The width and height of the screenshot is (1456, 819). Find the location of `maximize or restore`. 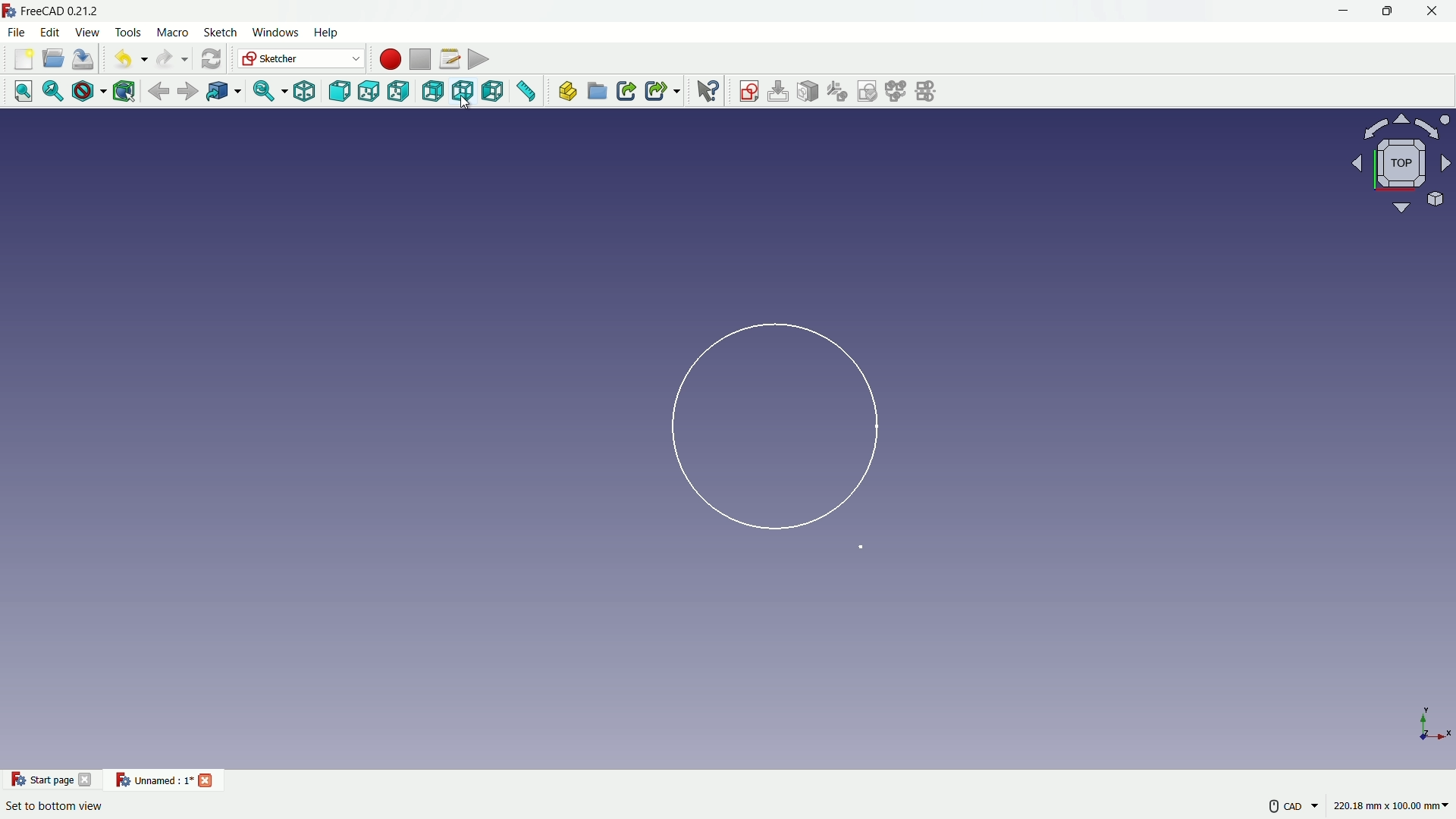

maximize or restore is located at coordinates (1386, 13).